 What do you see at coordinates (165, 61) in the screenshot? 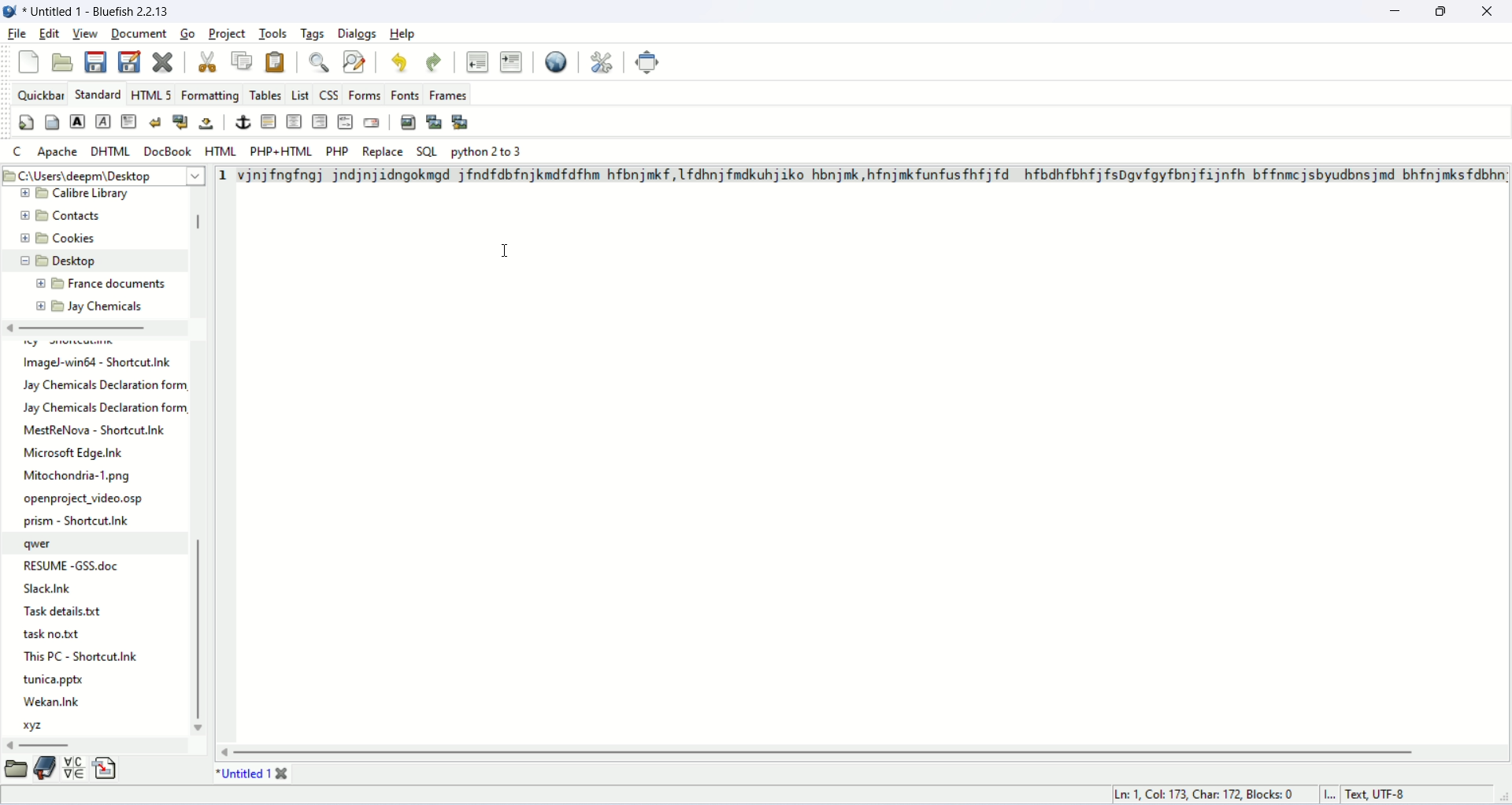
I see `close` at bounding box center [165, 61].